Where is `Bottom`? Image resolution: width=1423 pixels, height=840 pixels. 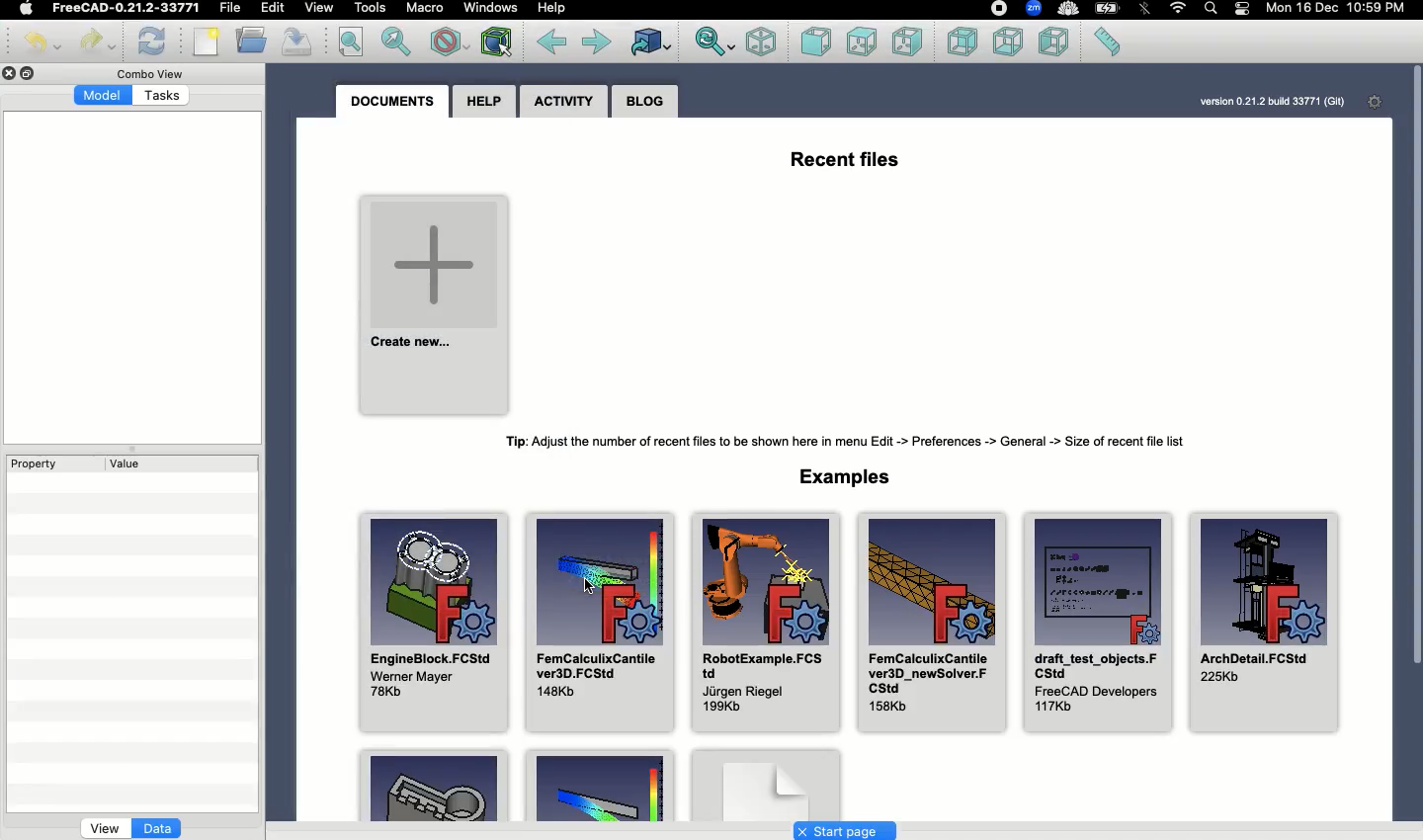
Bottom is located at coordinates (1007, 42).